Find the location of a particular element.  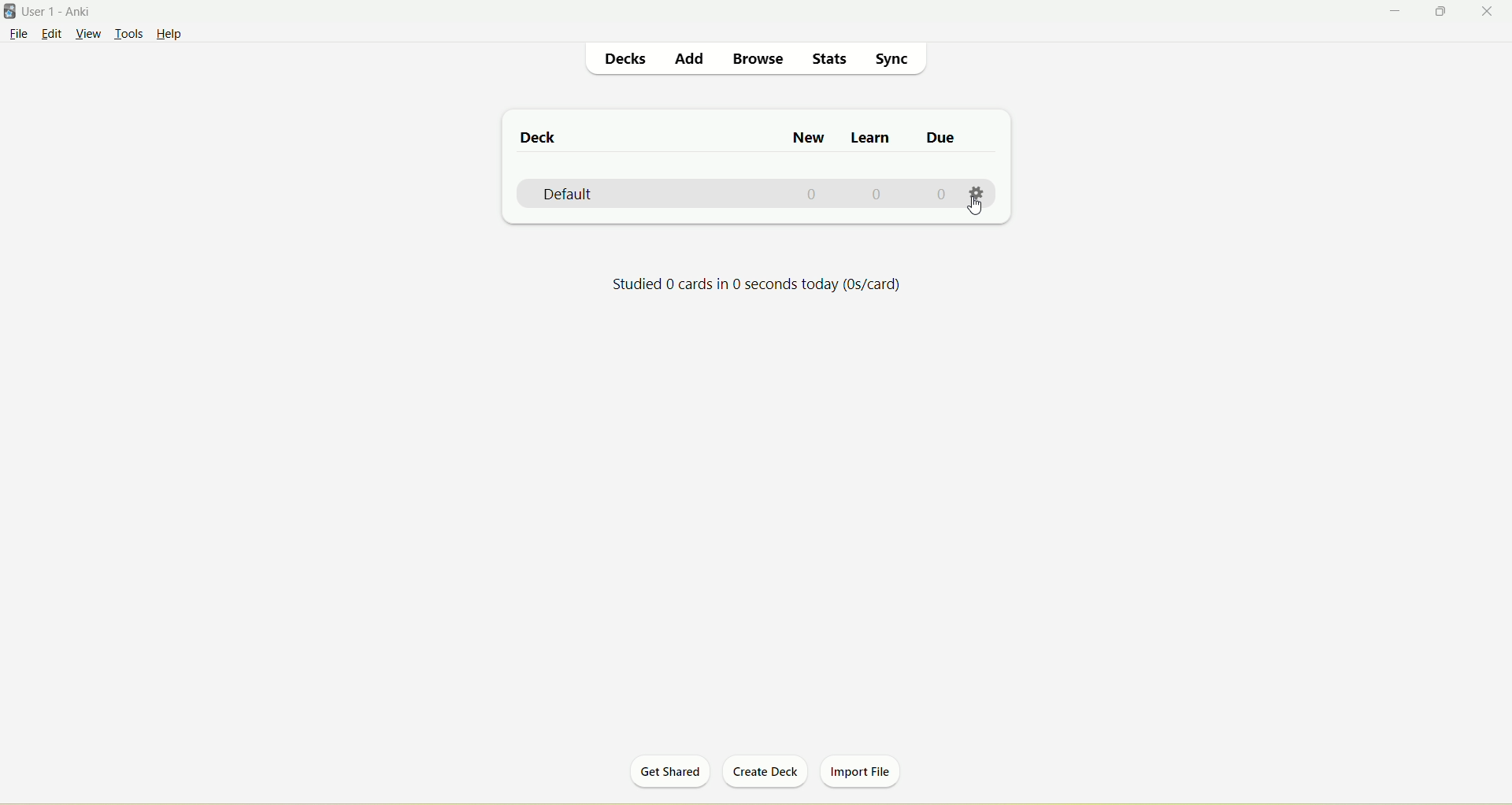

decks is located at coordinates (629, 59).